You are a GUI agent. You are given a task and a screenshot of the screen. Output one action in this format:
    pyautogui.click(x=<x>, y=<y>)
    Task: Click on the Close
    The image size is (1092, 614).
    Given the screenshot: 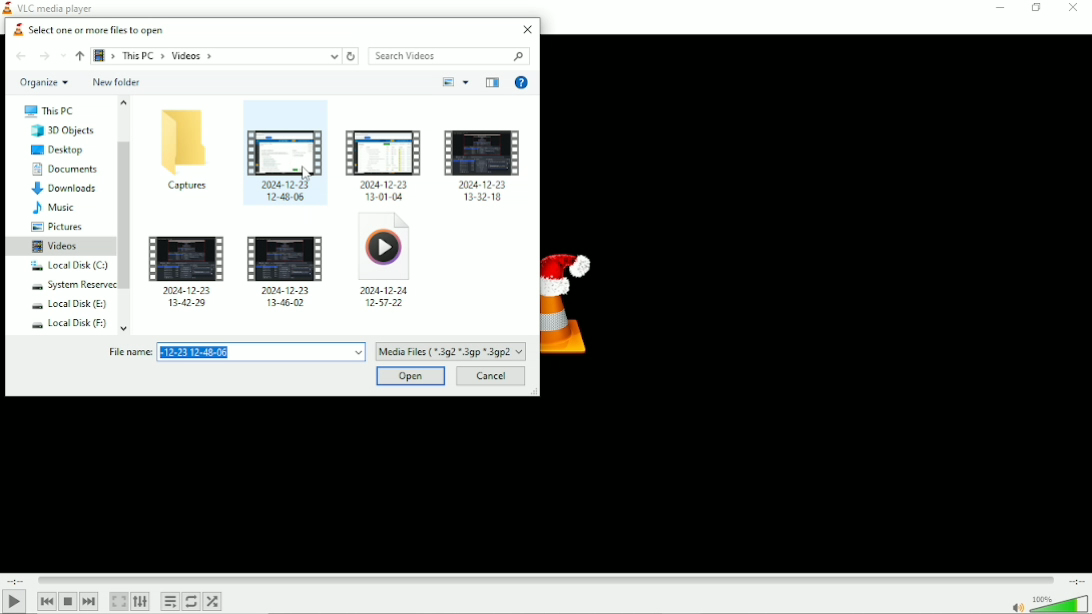 What is the action you would take?
    pyautogui.click(x=527, y=29)
    